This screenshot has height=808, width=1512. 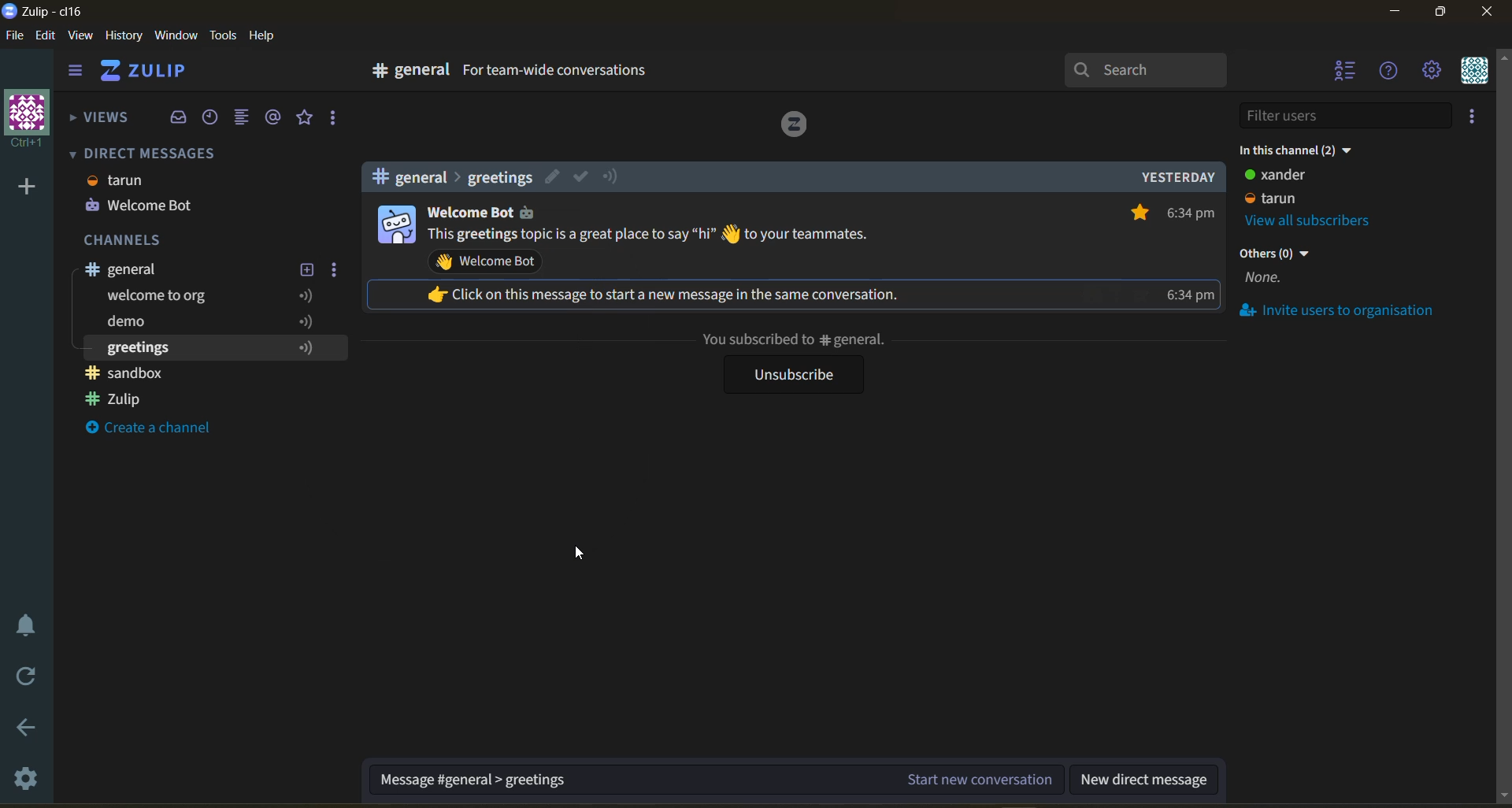 What do you see at coordinates (790, 375) in the screenshot?
I see `unsubscribe` at bounding box center [790, 375].